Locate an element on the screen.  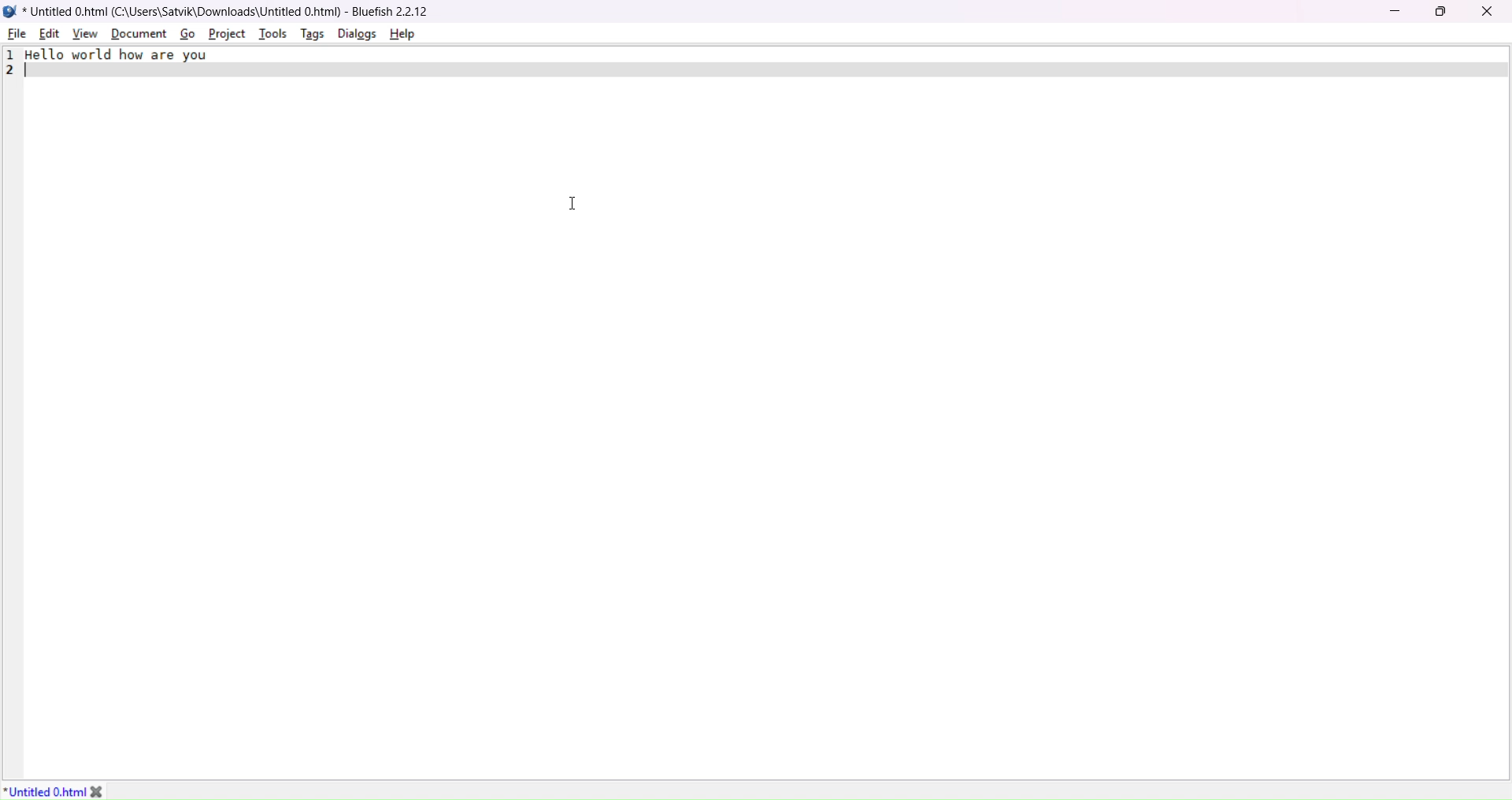
cursor is located at coordinates (574, 205).